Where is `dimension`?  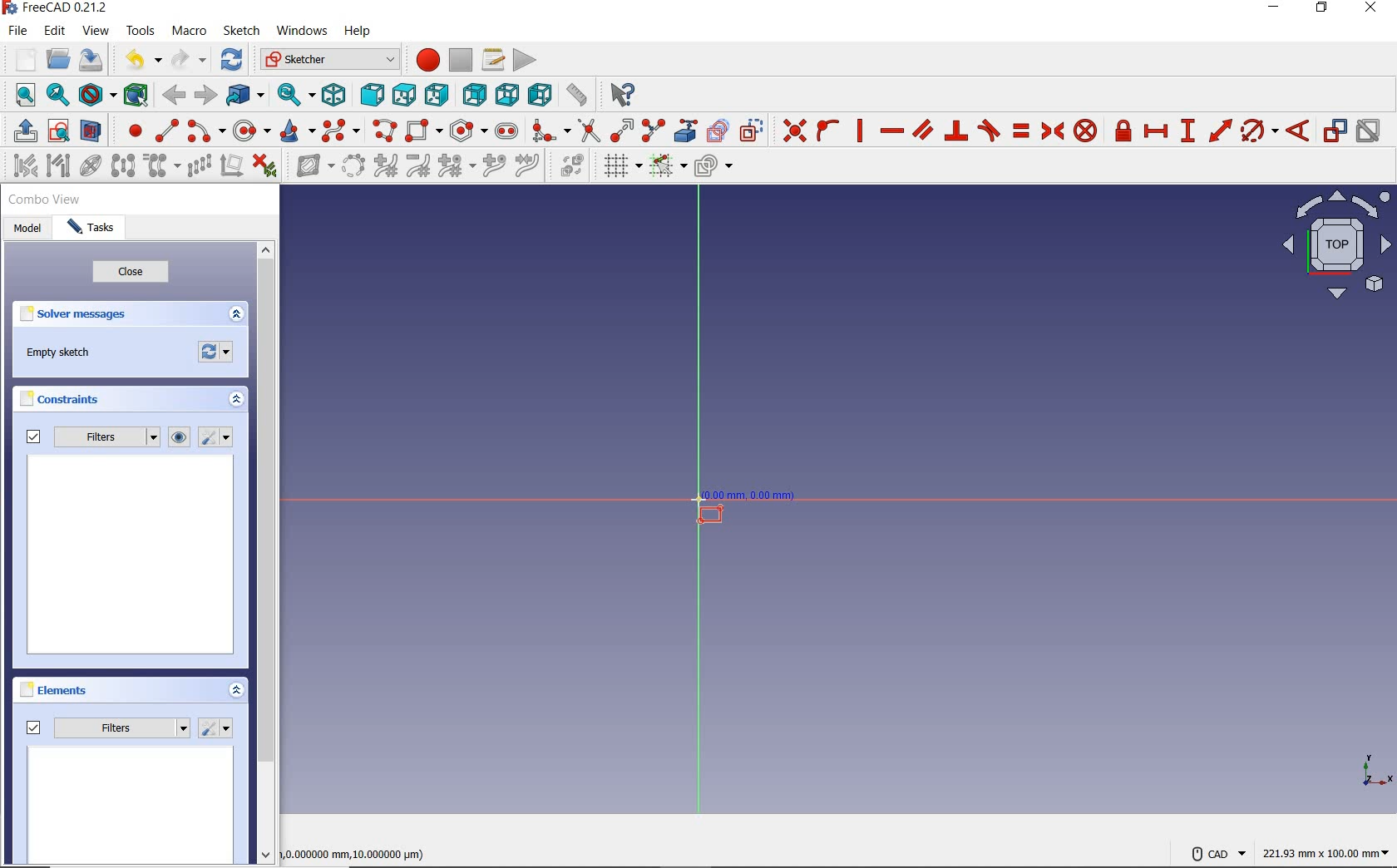 dimension is located at coordinates (1328, 852).